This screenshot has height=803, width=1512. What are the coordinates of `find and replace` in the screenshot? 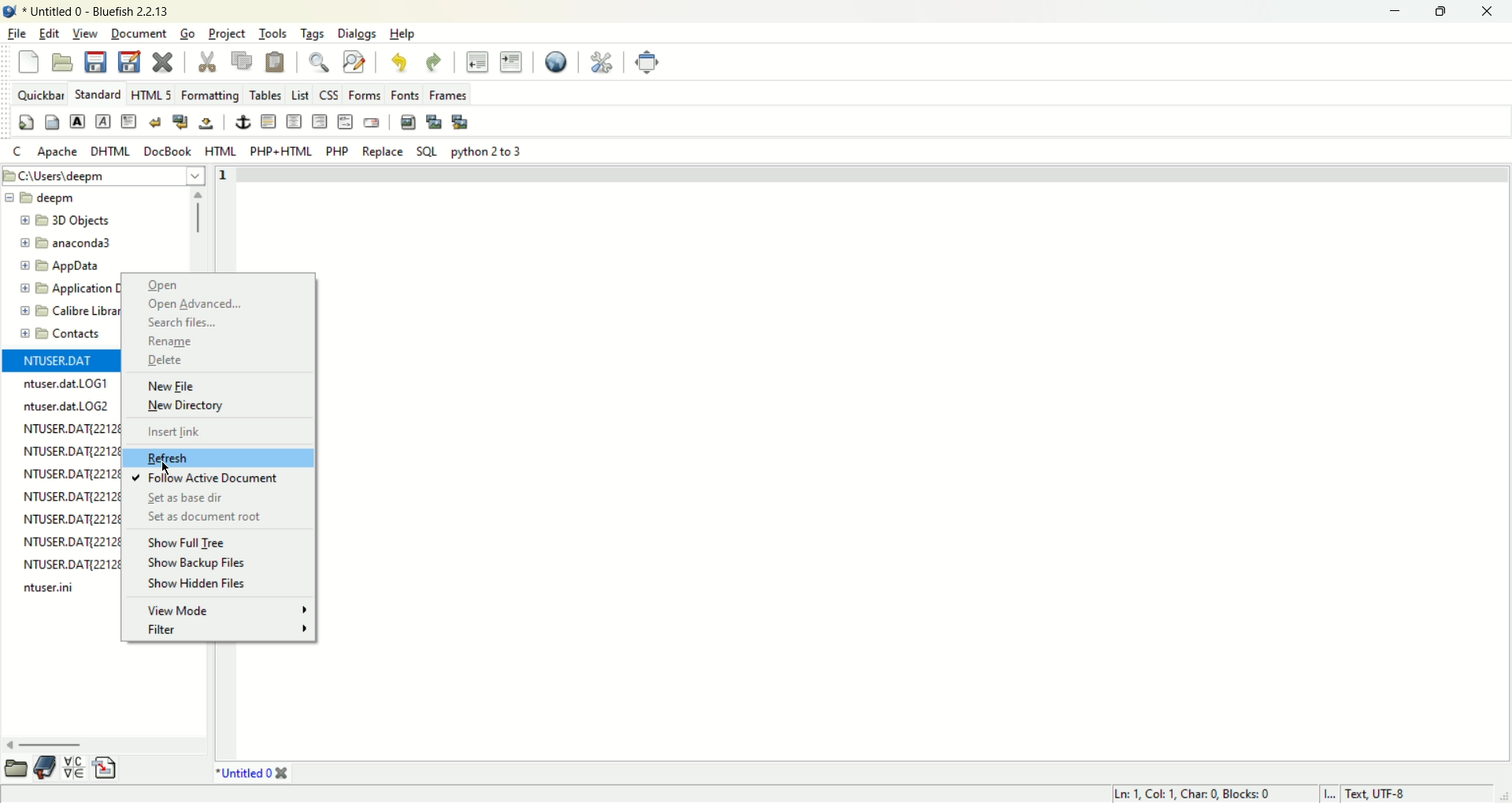 It's located at (354, 64).